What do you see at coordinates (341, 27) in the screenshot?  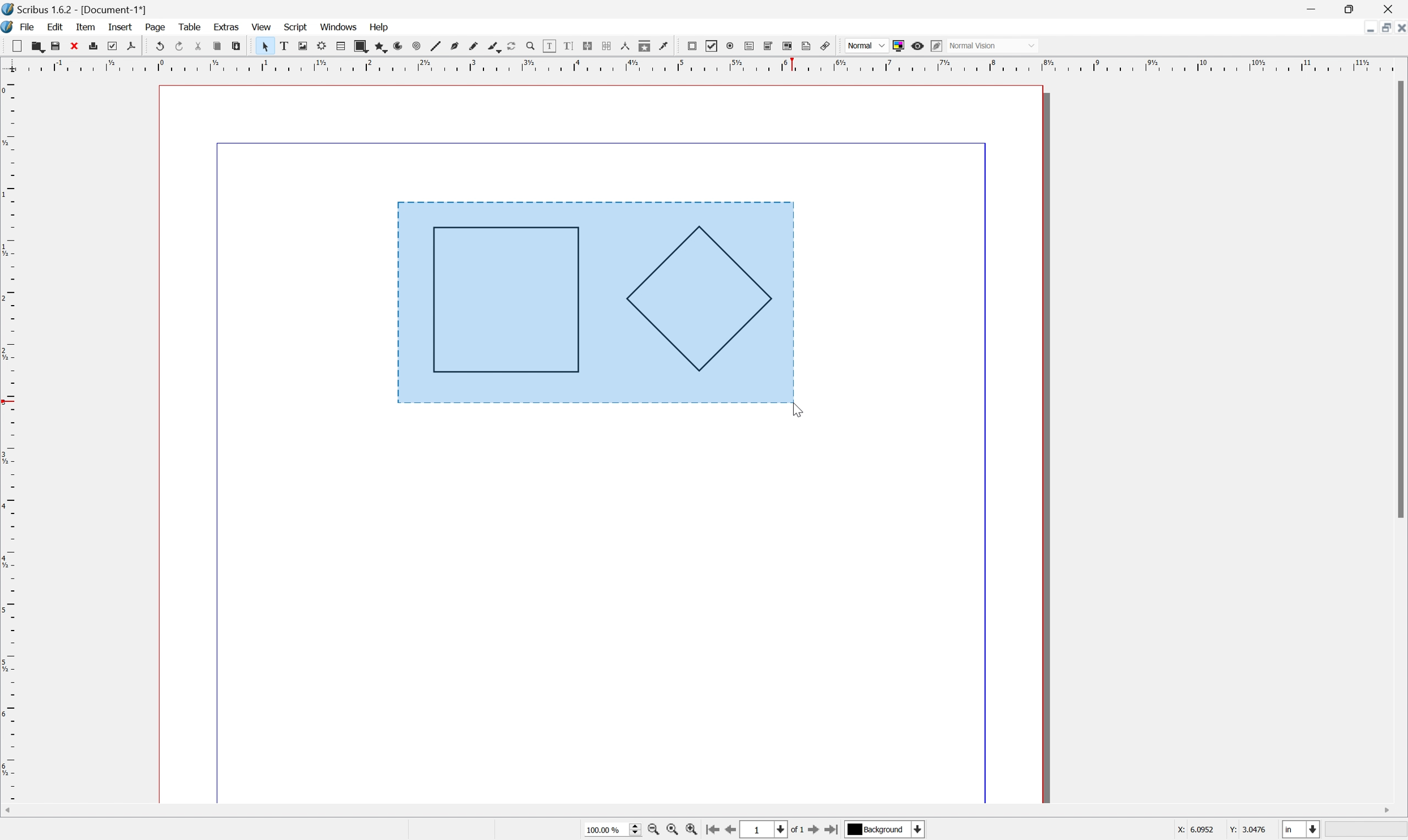 I see `windows` at bounding box center [341, 27].